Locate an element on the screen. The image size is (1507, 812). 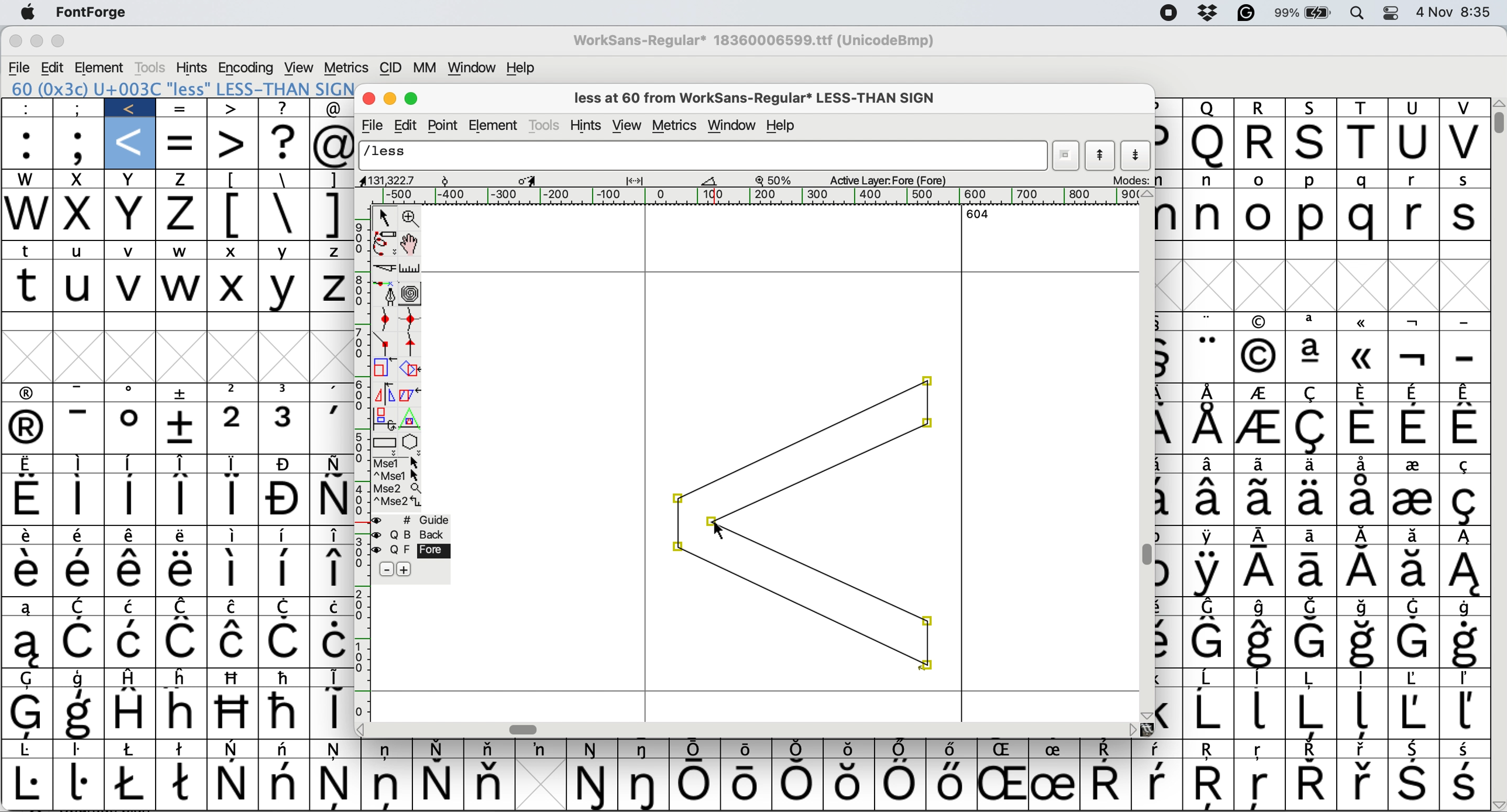
Symbol is located at coordinates (1107, 750).